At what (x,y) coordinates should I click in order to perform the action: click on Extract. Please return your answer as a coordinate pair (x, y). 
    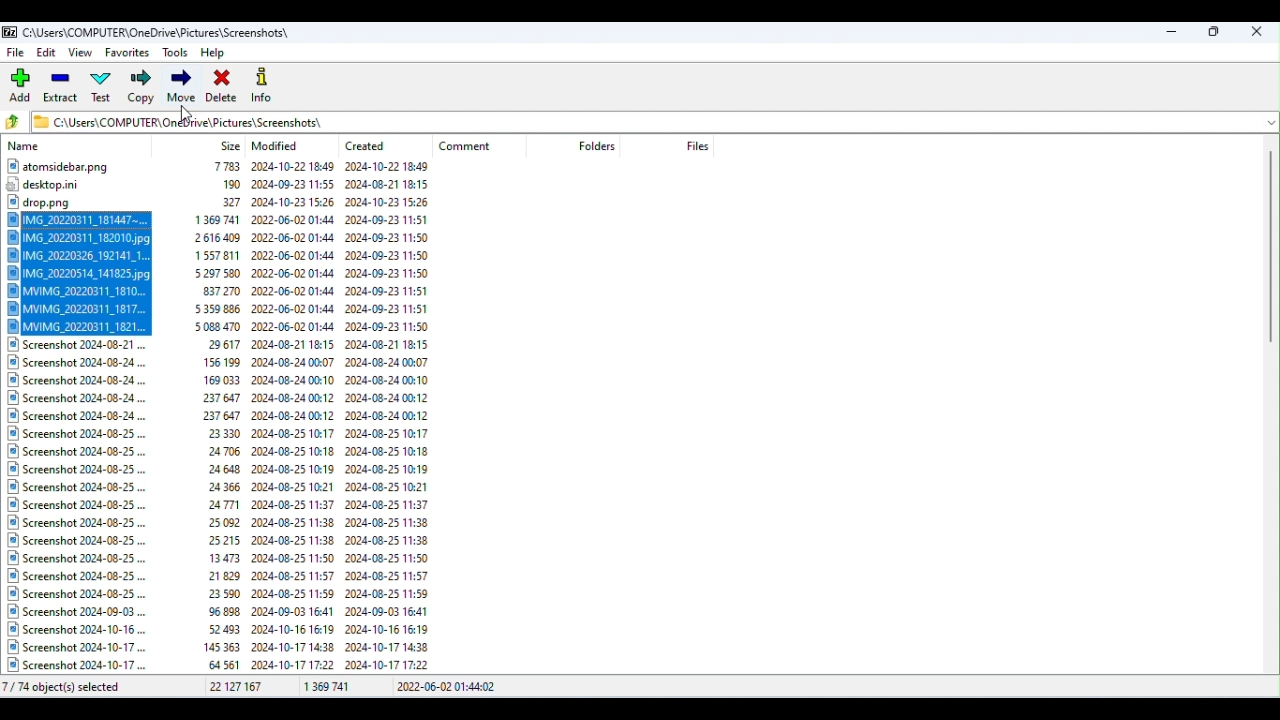
    Looking at the image, I should click on (62, 89).